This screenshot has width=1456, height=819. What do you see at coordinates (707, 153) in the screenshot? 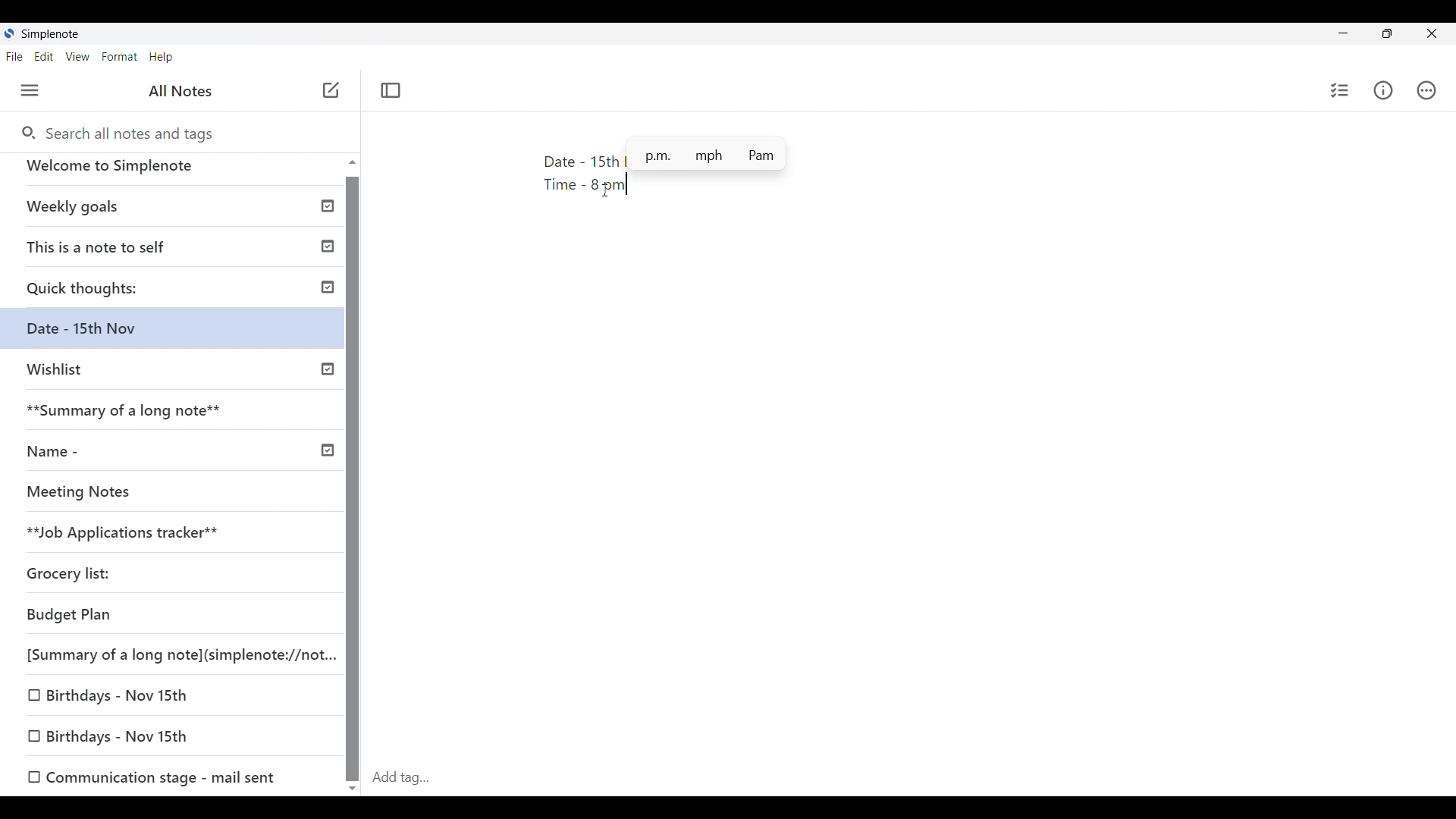
I see `Suggestions for time typed in` at bounding box center [707, 153].